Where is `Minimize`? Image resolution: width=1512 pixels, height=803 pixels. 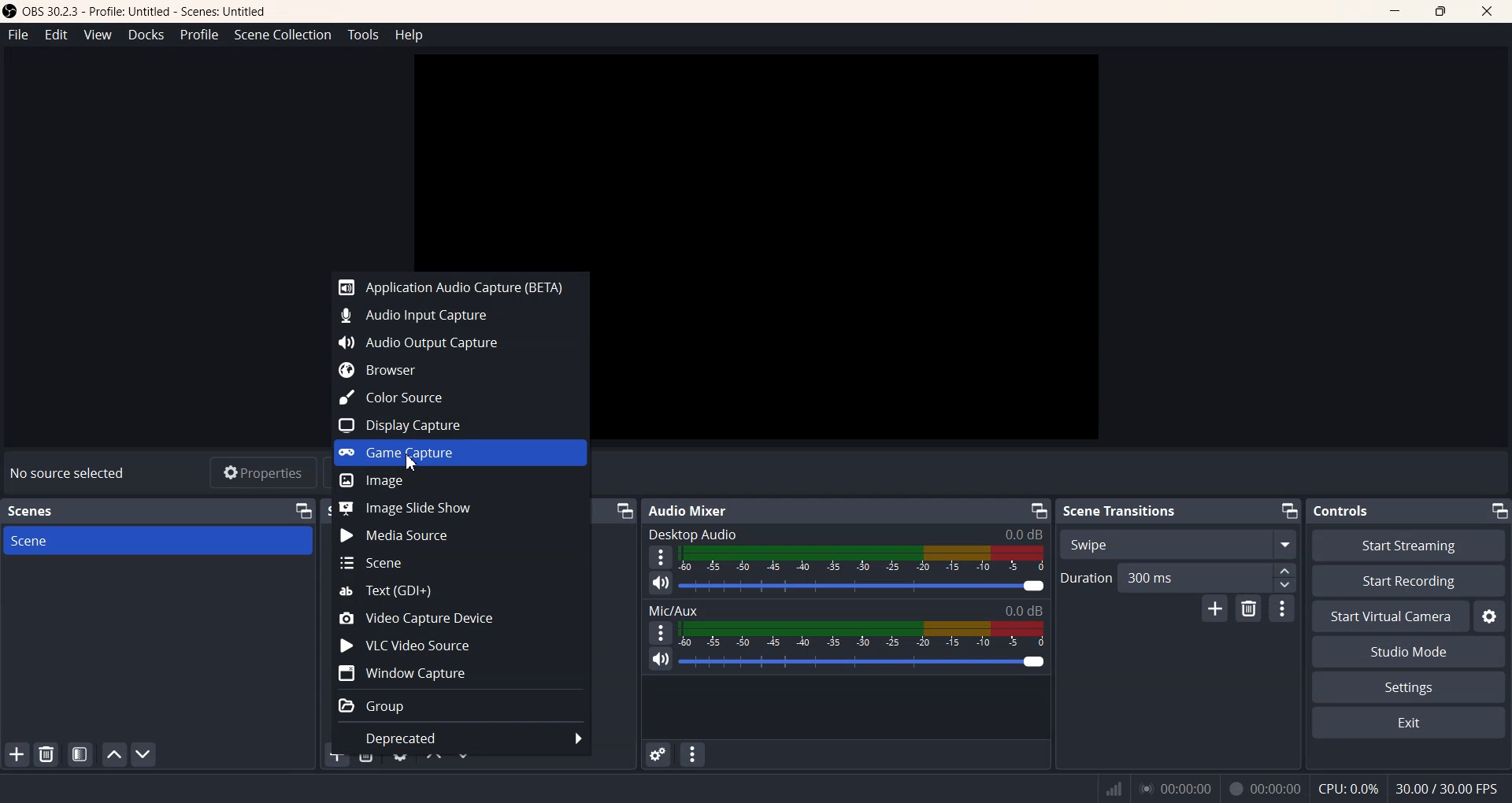 Minimize is located at coordinates (1037, 510).